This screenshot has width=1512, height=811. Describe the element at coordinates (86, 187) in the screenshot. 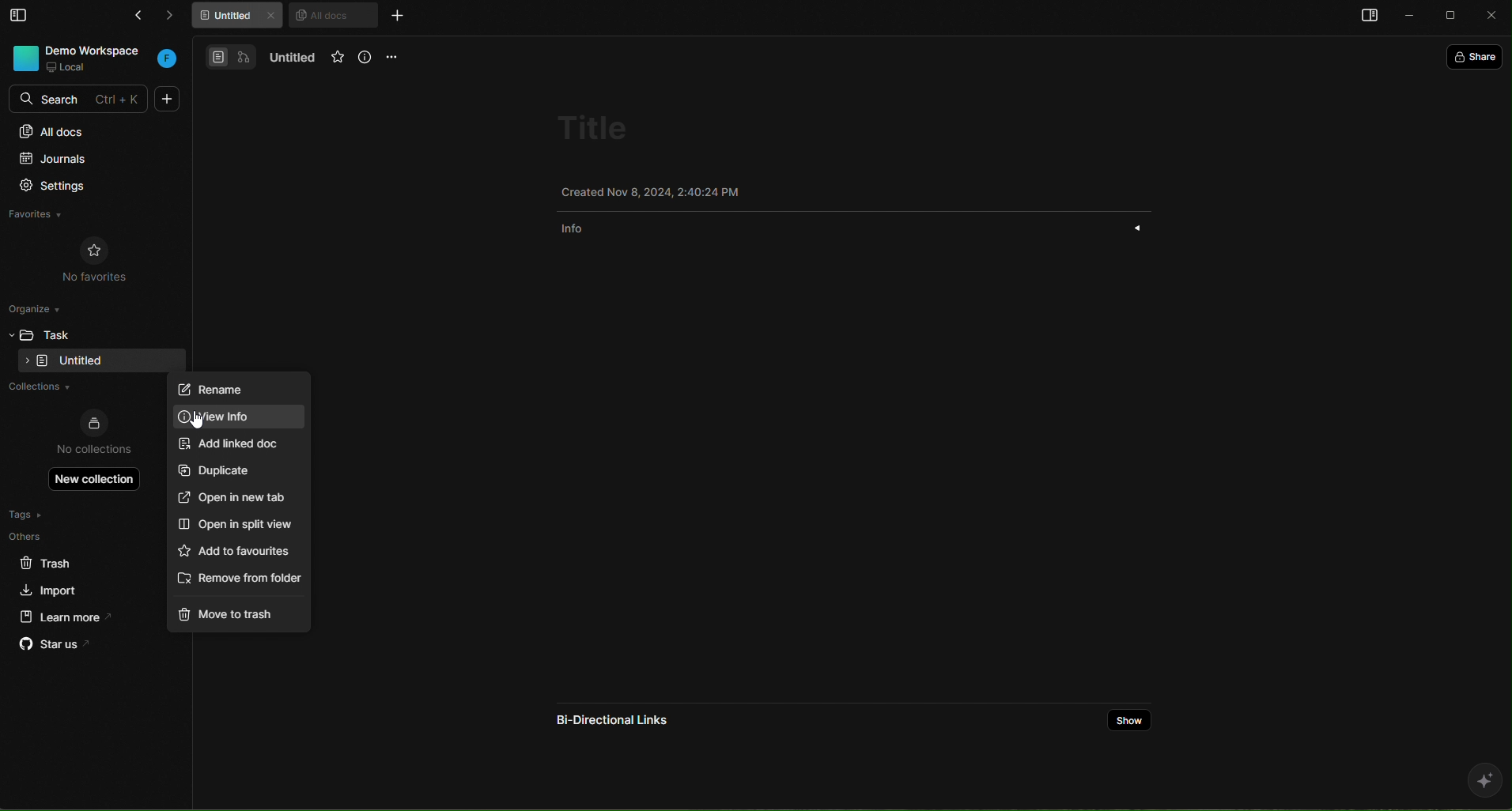

I see `settings` at that location.